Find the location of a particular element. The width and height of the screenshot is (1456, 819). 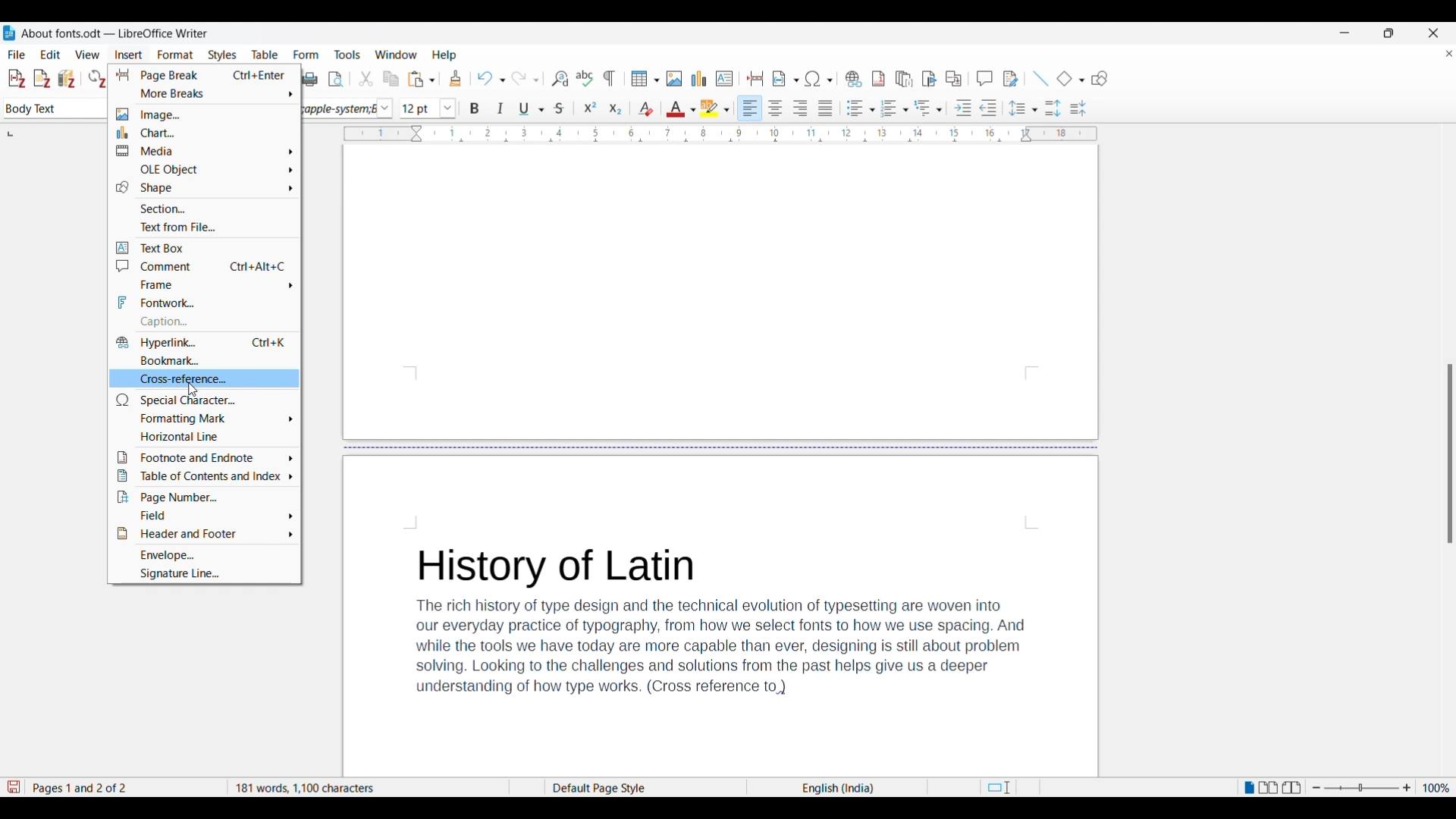

About fonts.odt- LibreOffice Writer is located at coordinates (115, 33).